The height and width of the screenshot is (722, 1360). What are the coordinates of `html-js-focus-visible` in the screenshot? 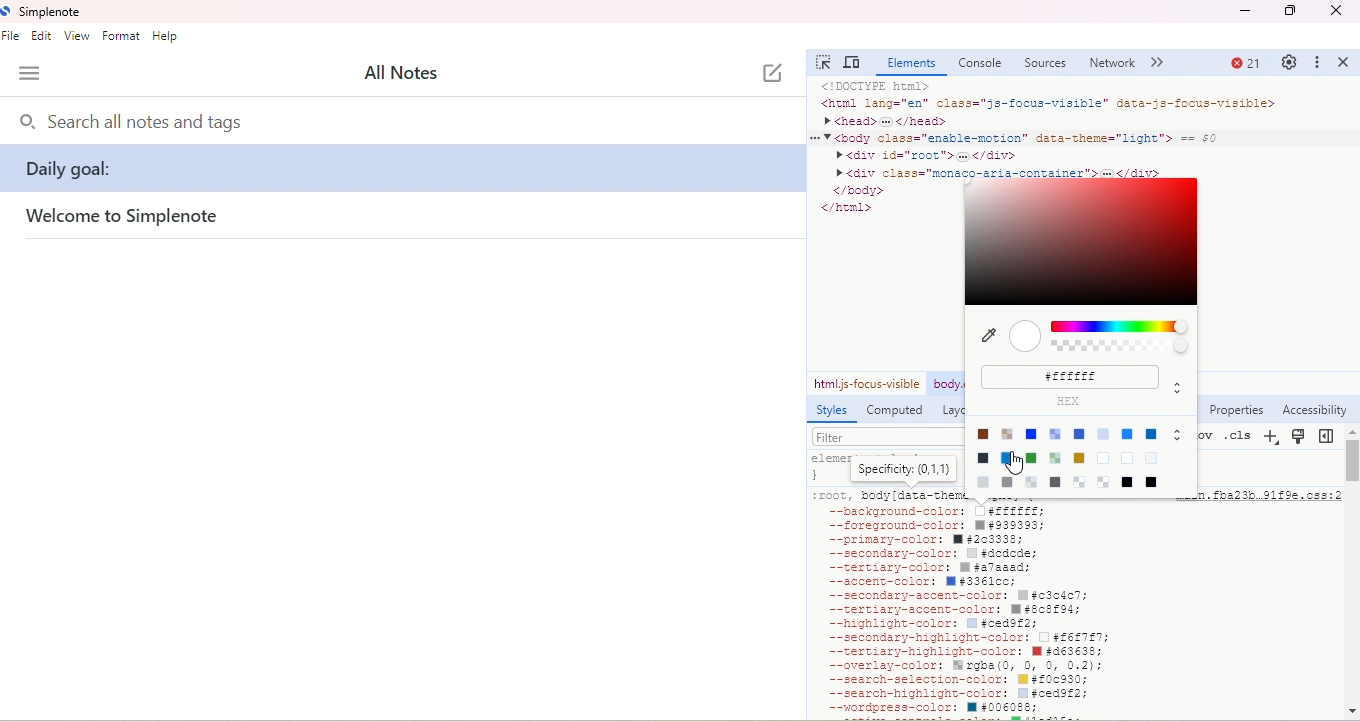 It's located at (866, 383).